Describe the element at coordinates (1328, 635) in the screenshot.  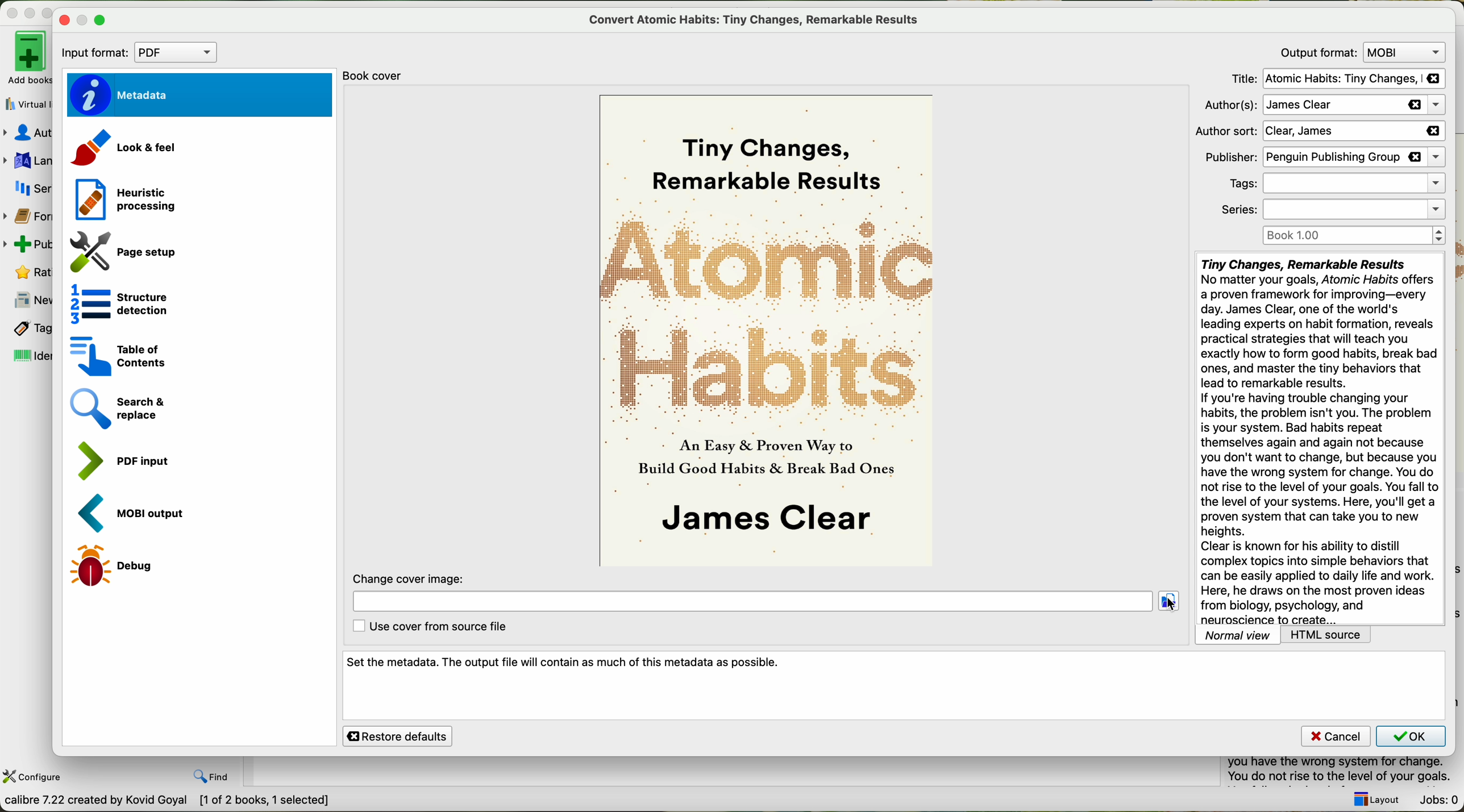
I see `HTML source` at that location.